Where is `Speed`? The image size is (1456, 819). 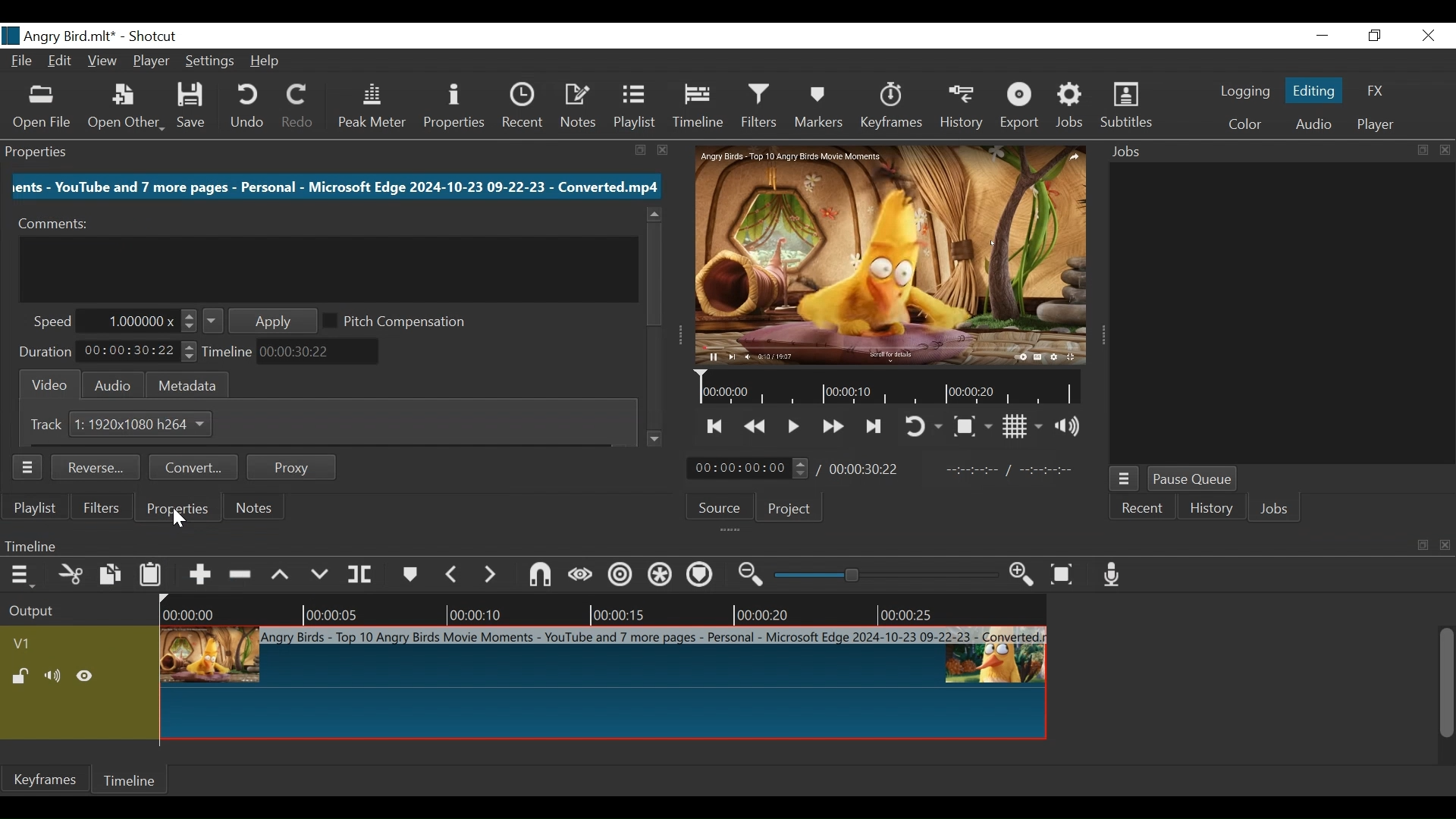
Speed is located at coordinates (54, 320).